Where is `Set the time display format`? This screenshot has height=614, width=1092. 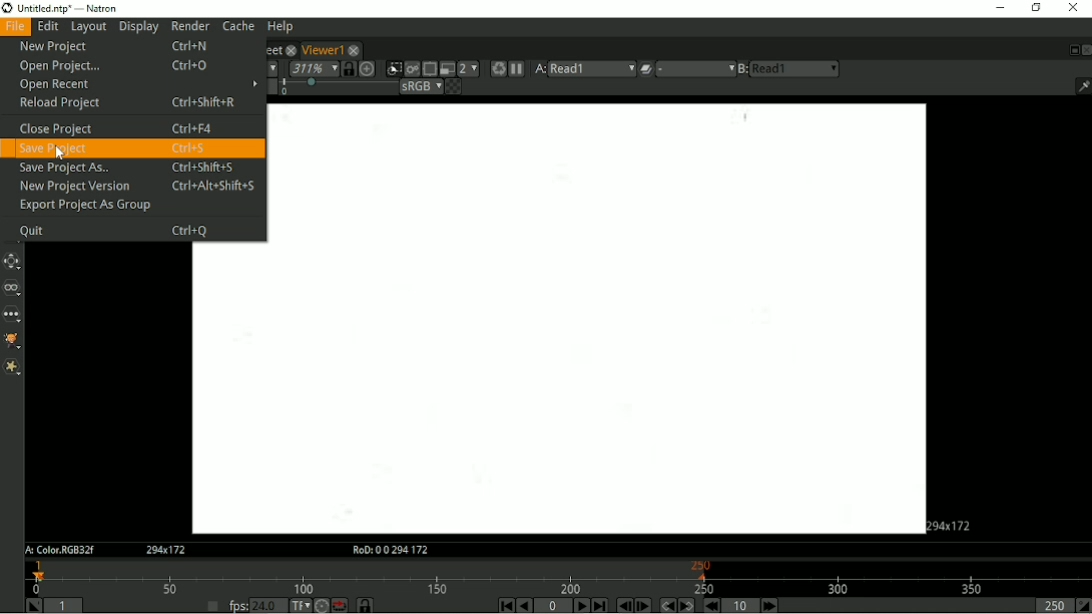
Set the time display format is located at coordinates (299, 606).